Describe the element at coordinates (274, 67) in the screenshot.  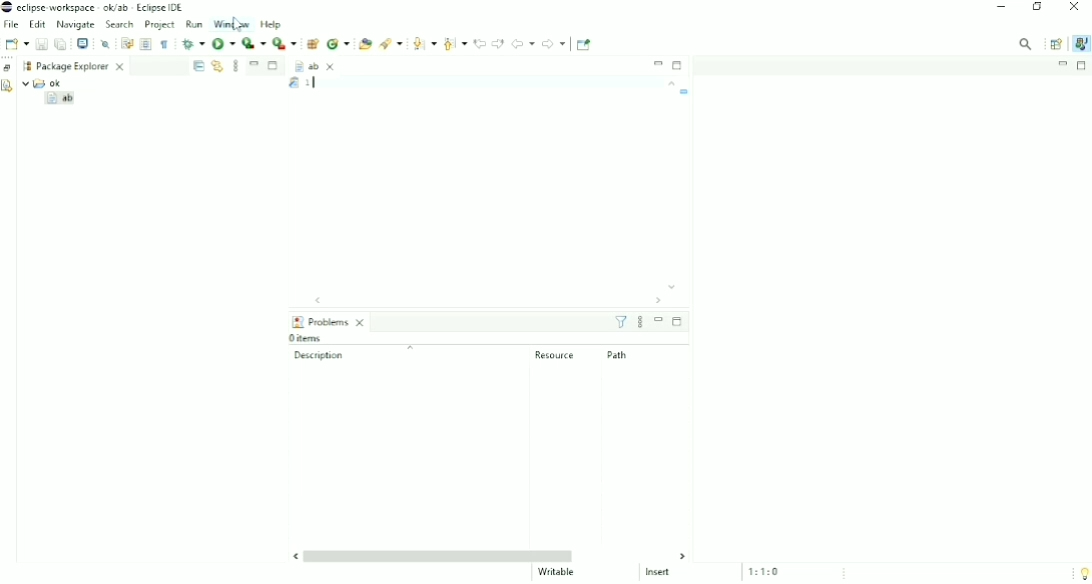
I see `Maximize` at that location.